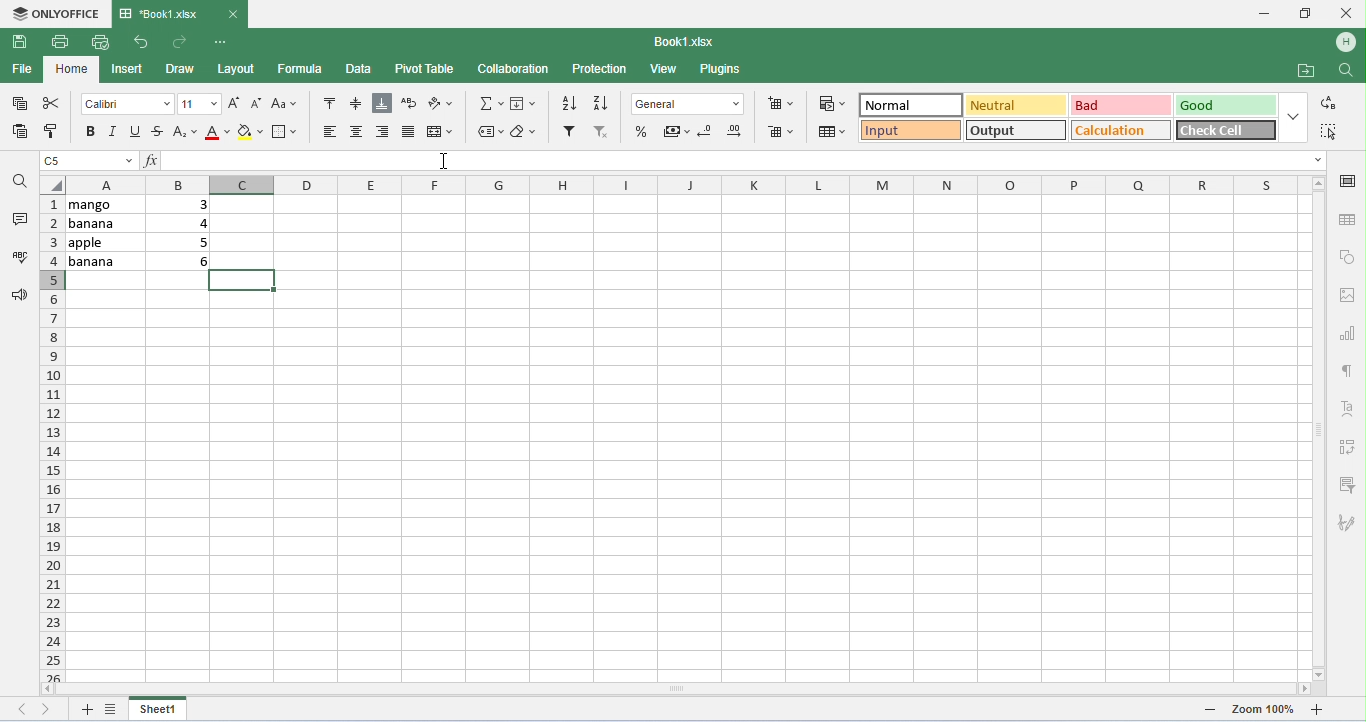 The height and width of the screenshot is (722, 1366). What do you see at coordinates (283, 104) in the screenshot?
I see `change case` at bounding box center [283, 104].